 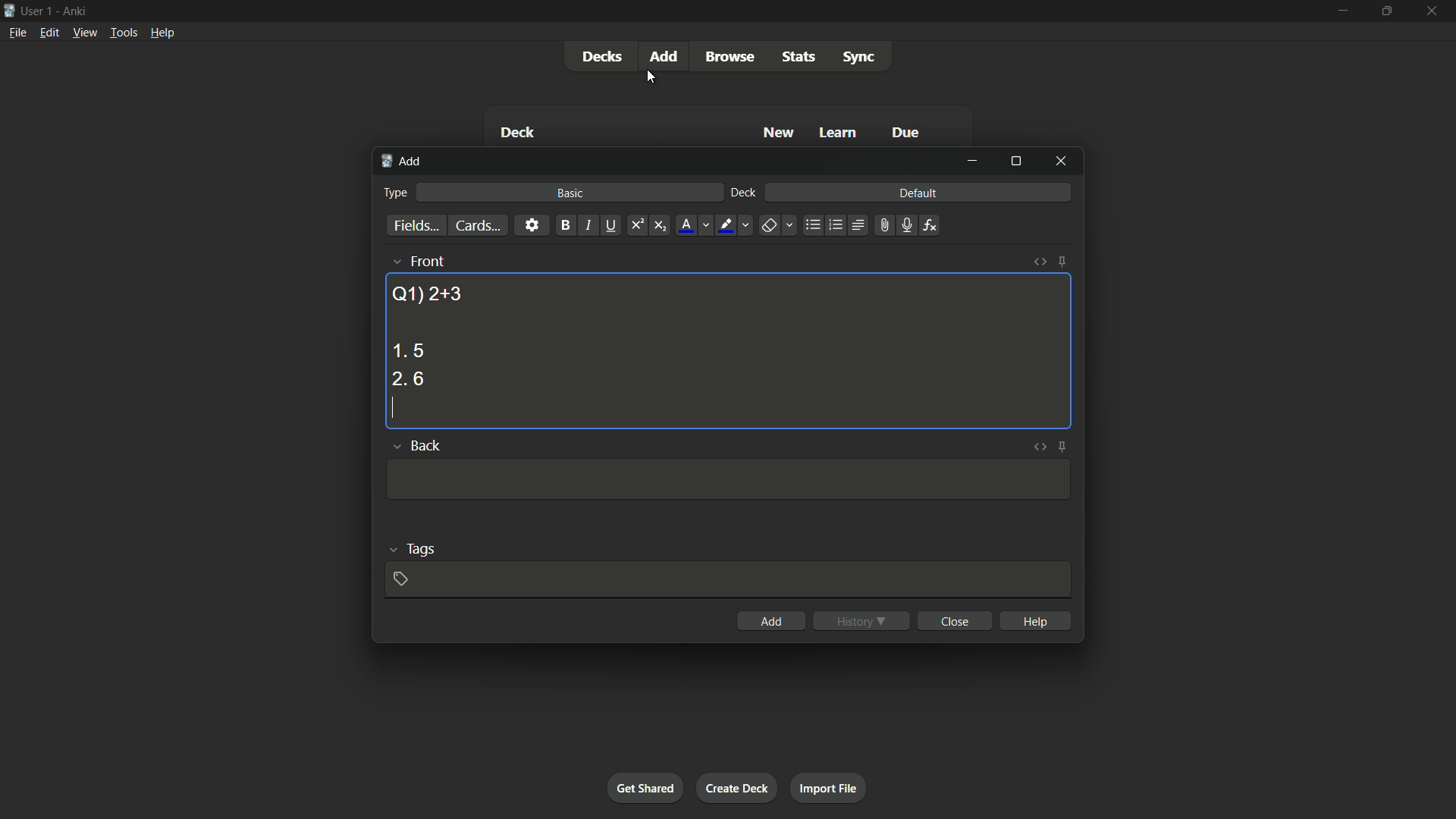 What do you see at coordinates (1037, 620) in the screenshot?
I see `help` at bounding box center [1037, 620].